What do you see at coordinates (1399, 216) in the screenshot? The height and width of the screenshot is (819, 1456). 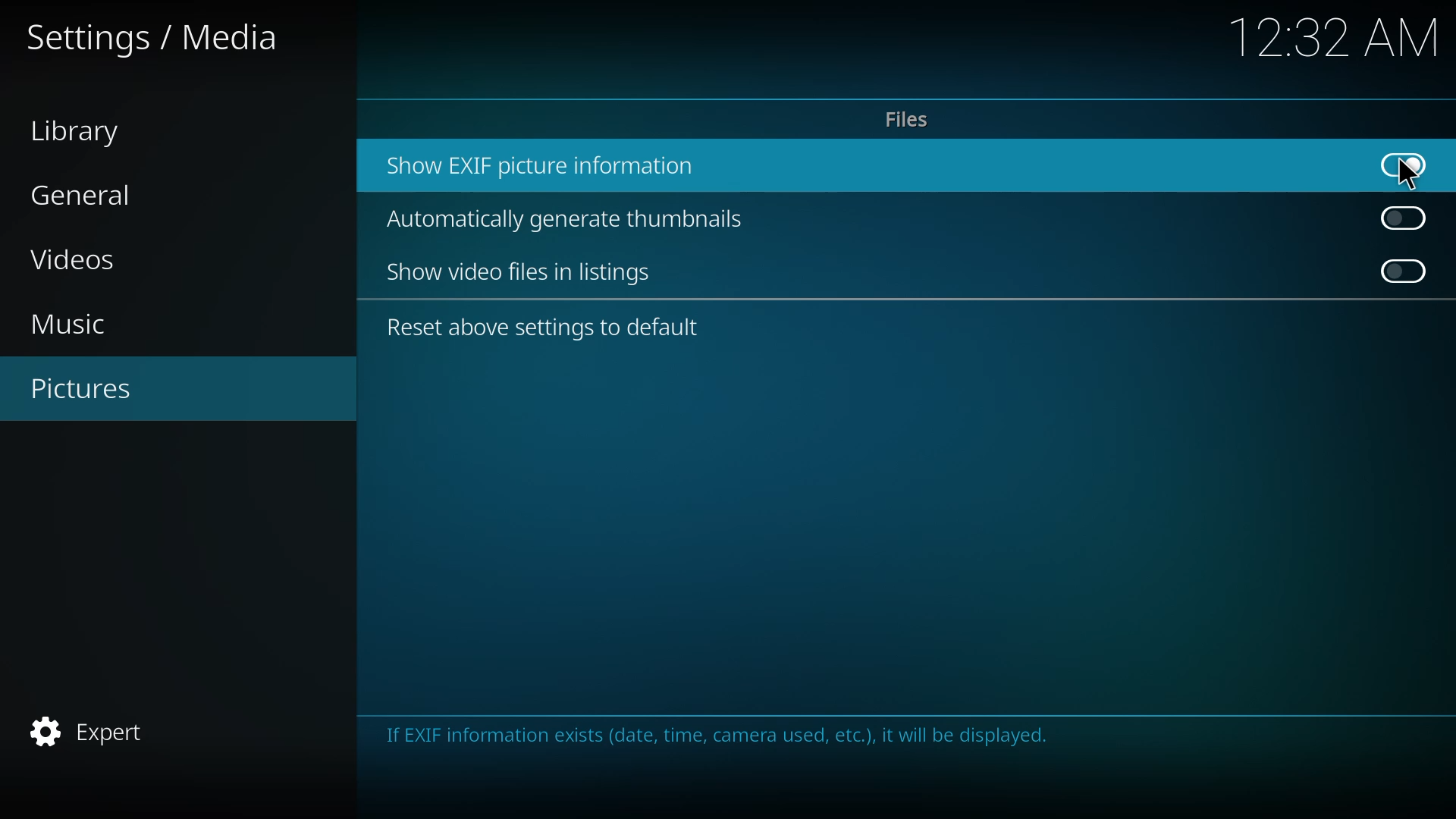 I see `click to enable` at bounding box center [1399, 216].